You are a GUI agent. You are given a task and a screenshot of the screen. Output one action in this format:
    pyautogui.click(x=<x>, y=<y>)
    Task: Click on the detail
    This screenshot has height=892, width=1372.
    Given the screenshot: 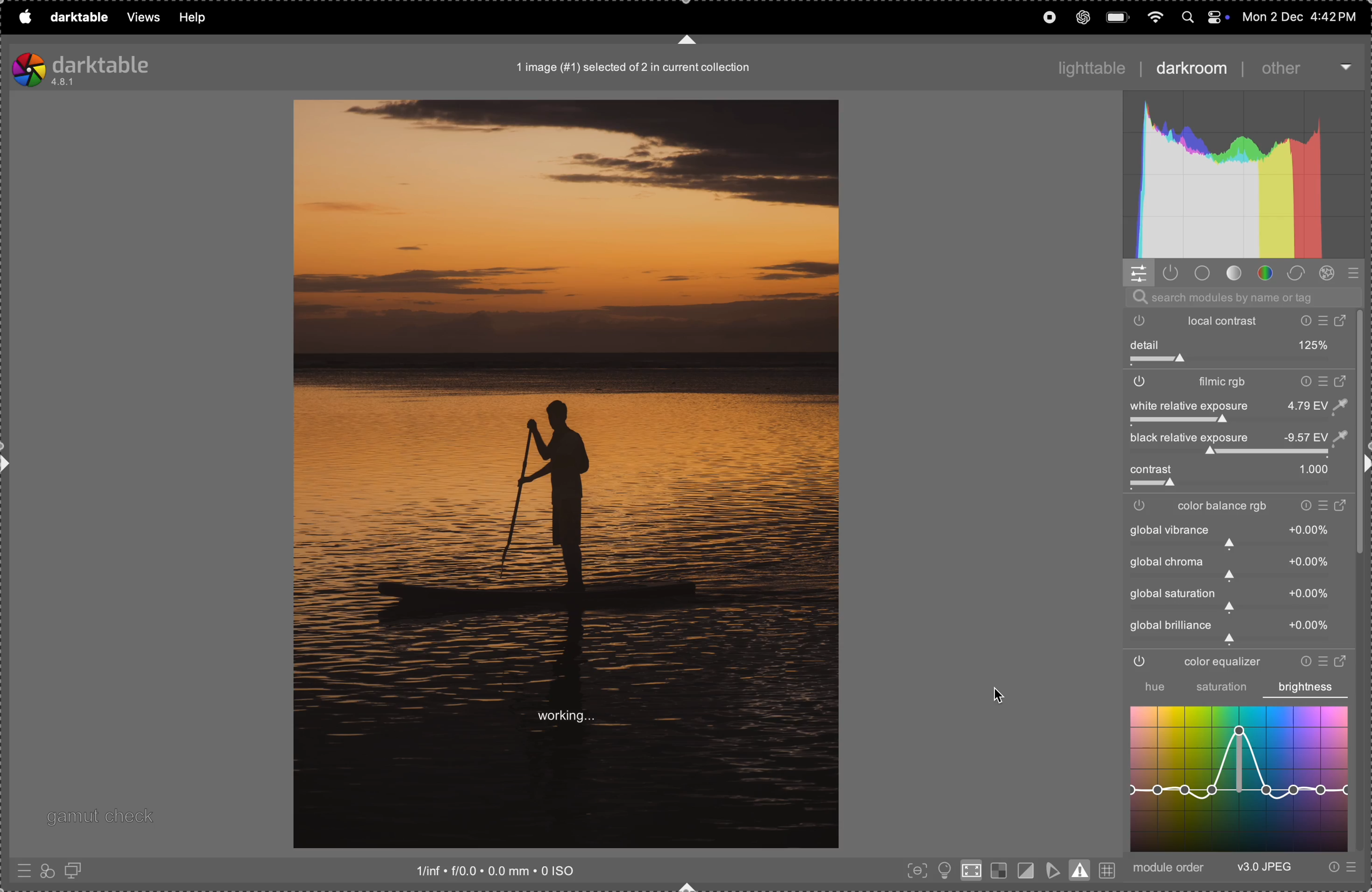 What is the action you would take?
    pyautogui.click(x=1240, y=345)
    